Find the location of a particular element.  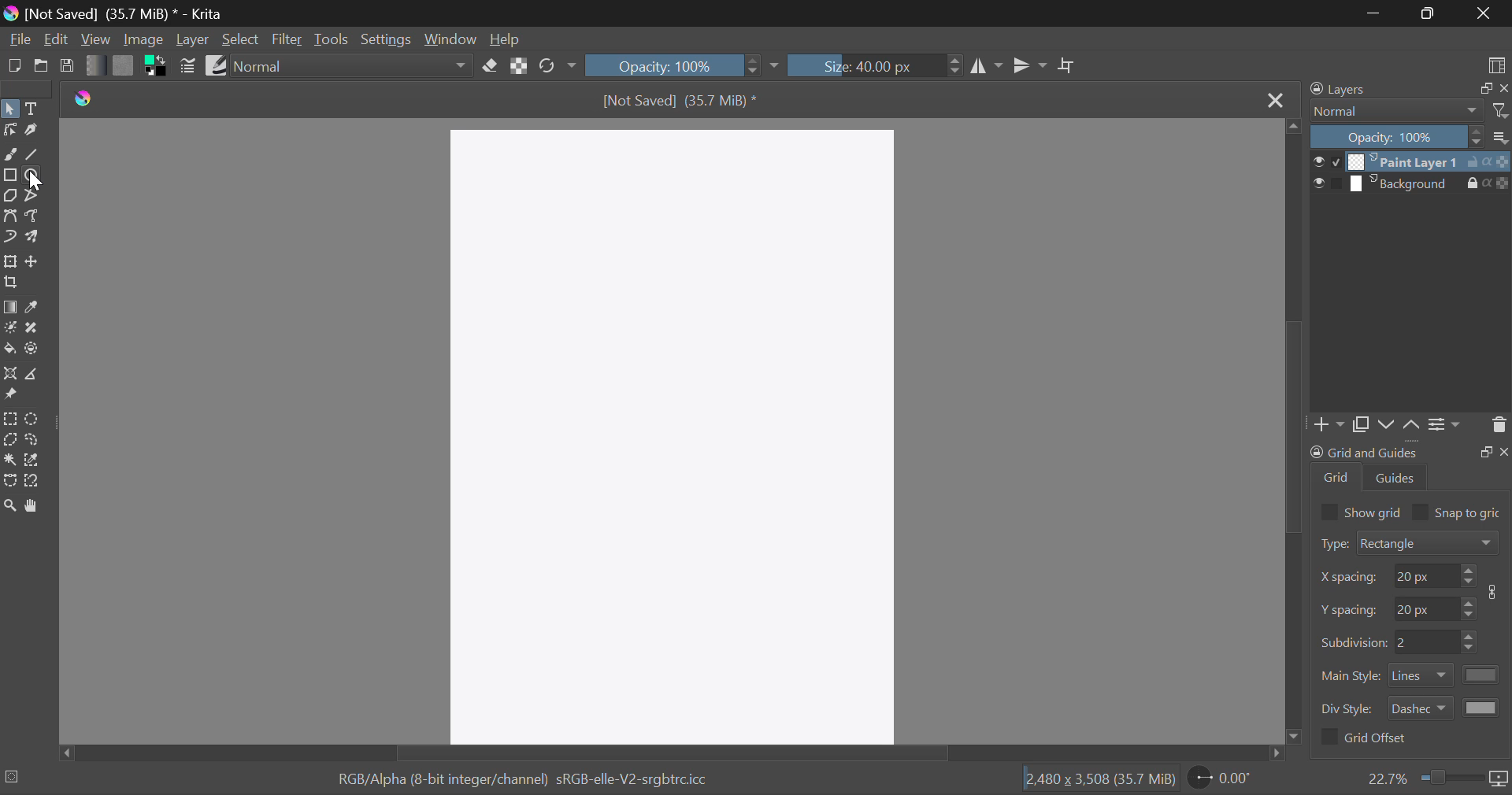

Zoom is located at coordinates (10, 505).